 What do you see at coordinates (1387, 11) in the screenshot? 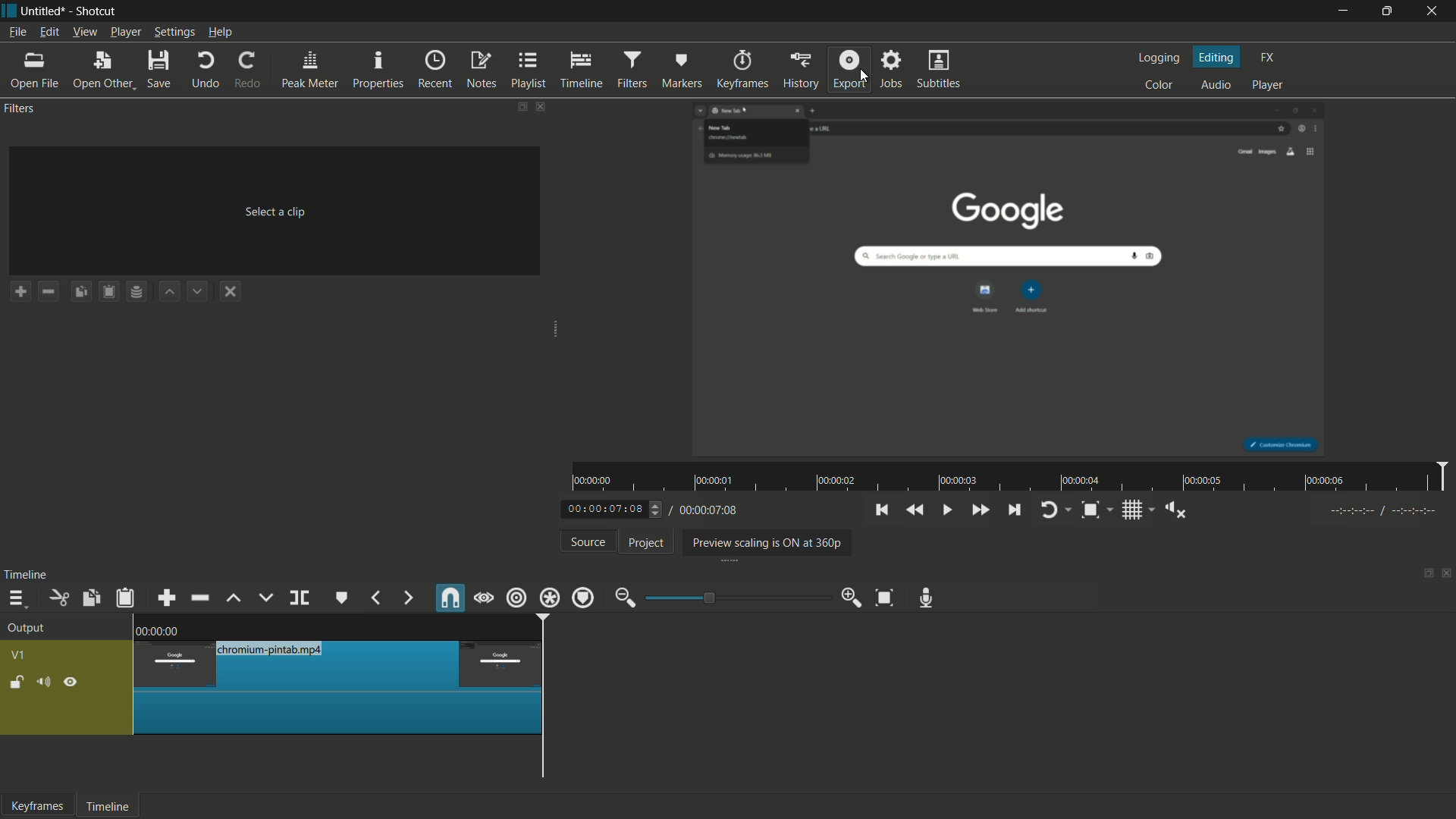
I see `maximize` at bounding box center [1387, 11].